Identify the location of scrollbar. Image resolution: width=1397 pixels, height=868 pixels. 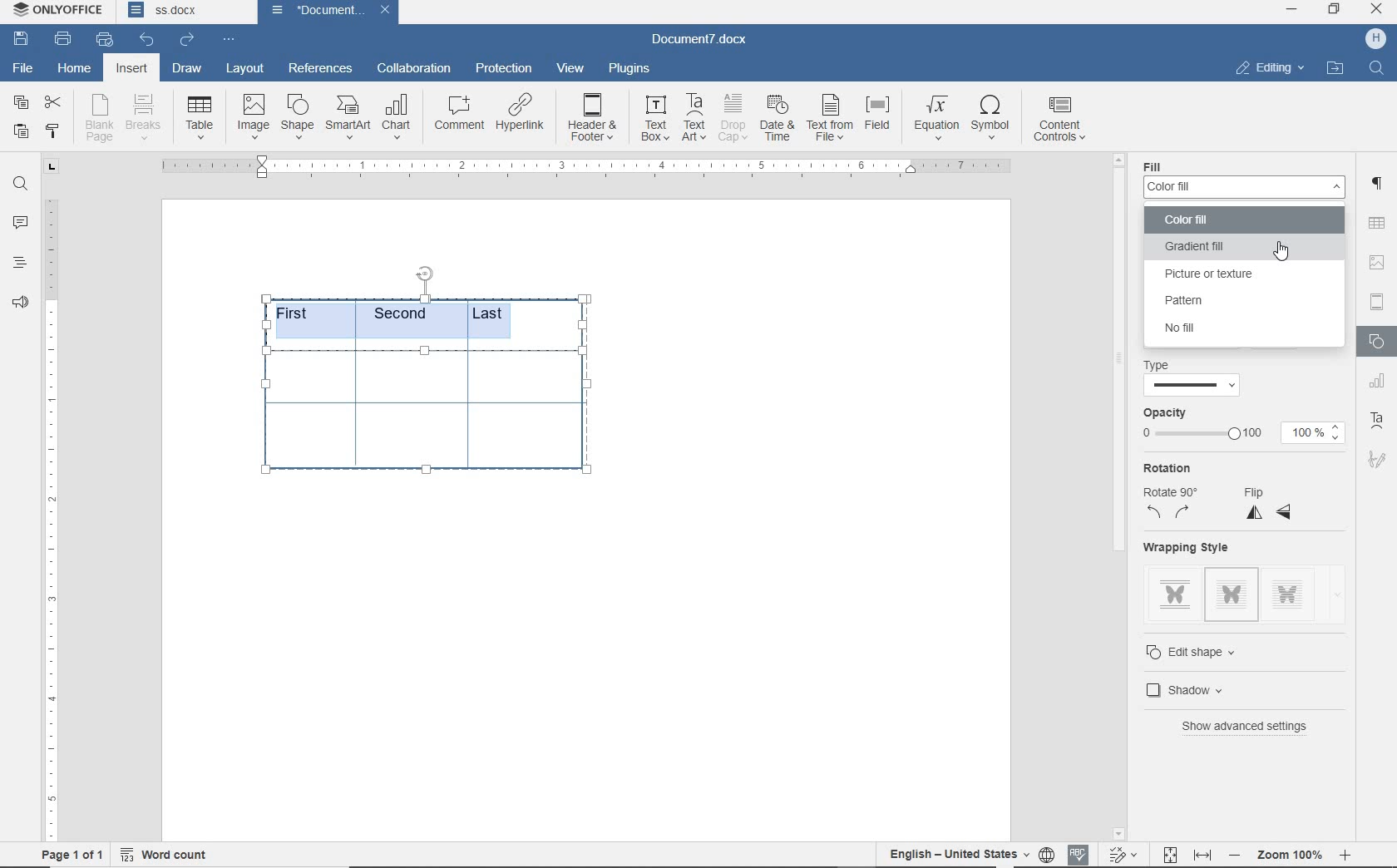
(1119, 496).